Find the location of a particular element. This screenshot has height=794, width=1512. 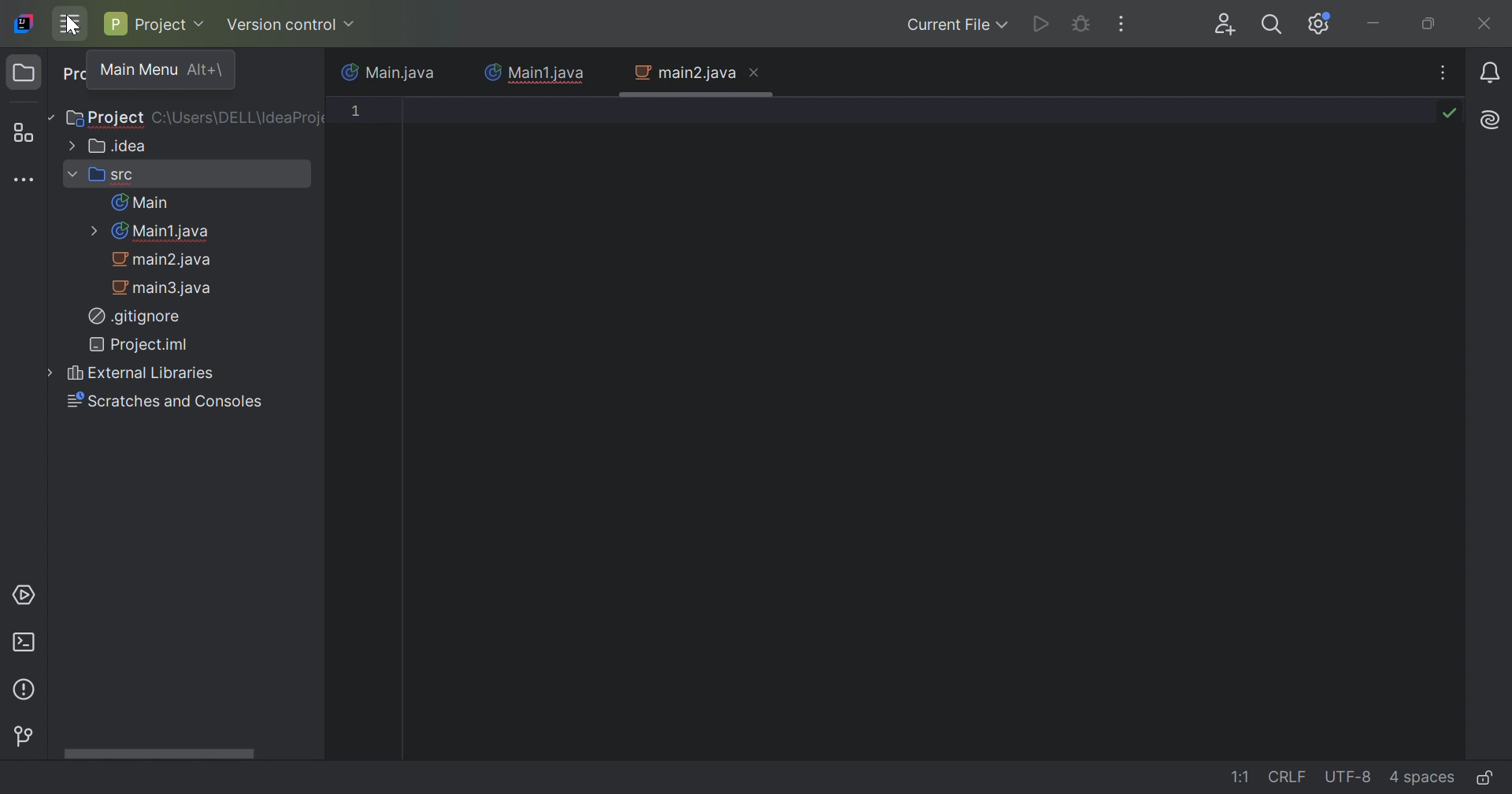

More actions is located at coordinates (1122, 23).